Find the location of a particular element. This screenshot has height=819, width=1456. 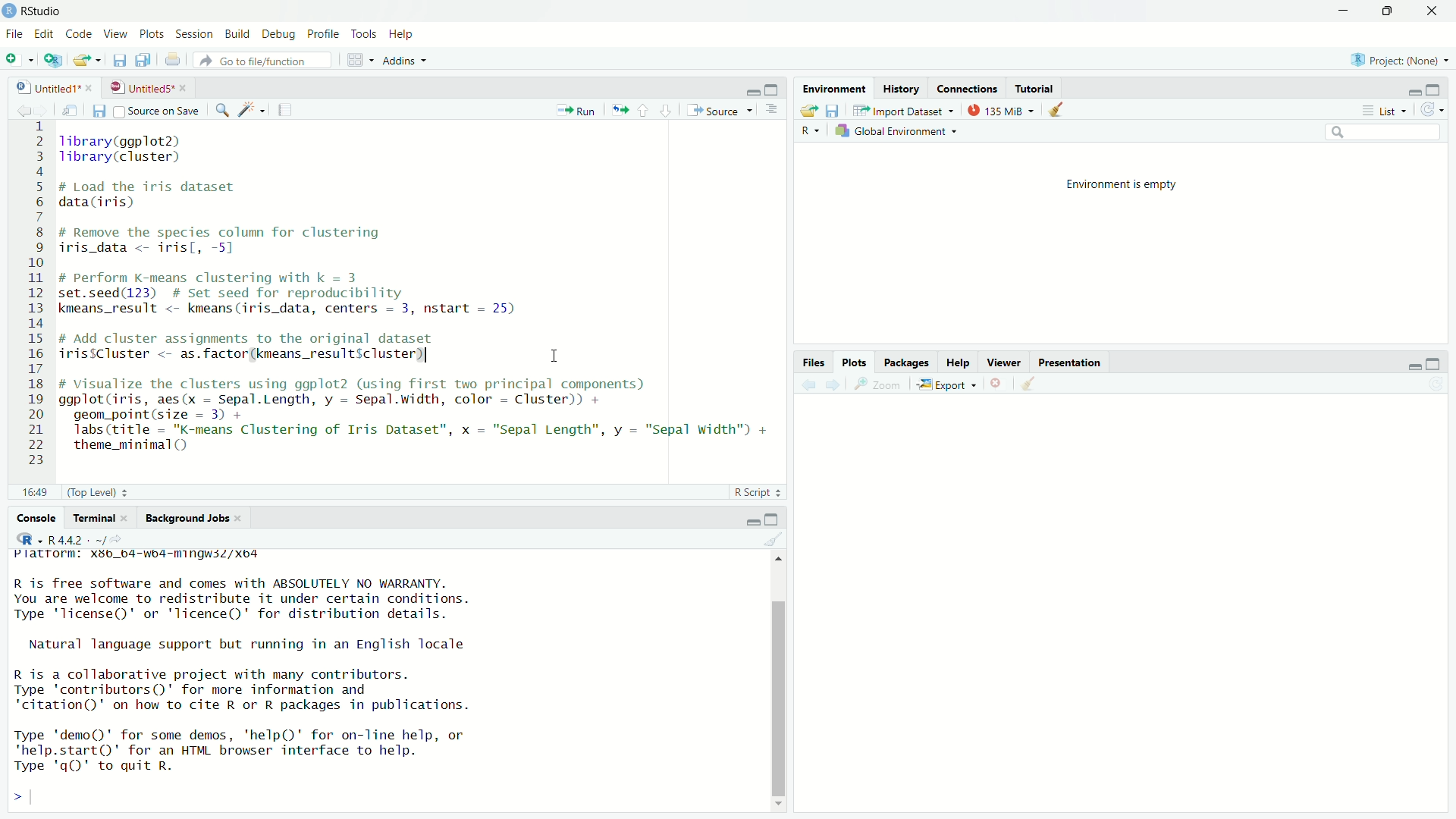

re-run the previous code region is located at coordinates (618, 108).